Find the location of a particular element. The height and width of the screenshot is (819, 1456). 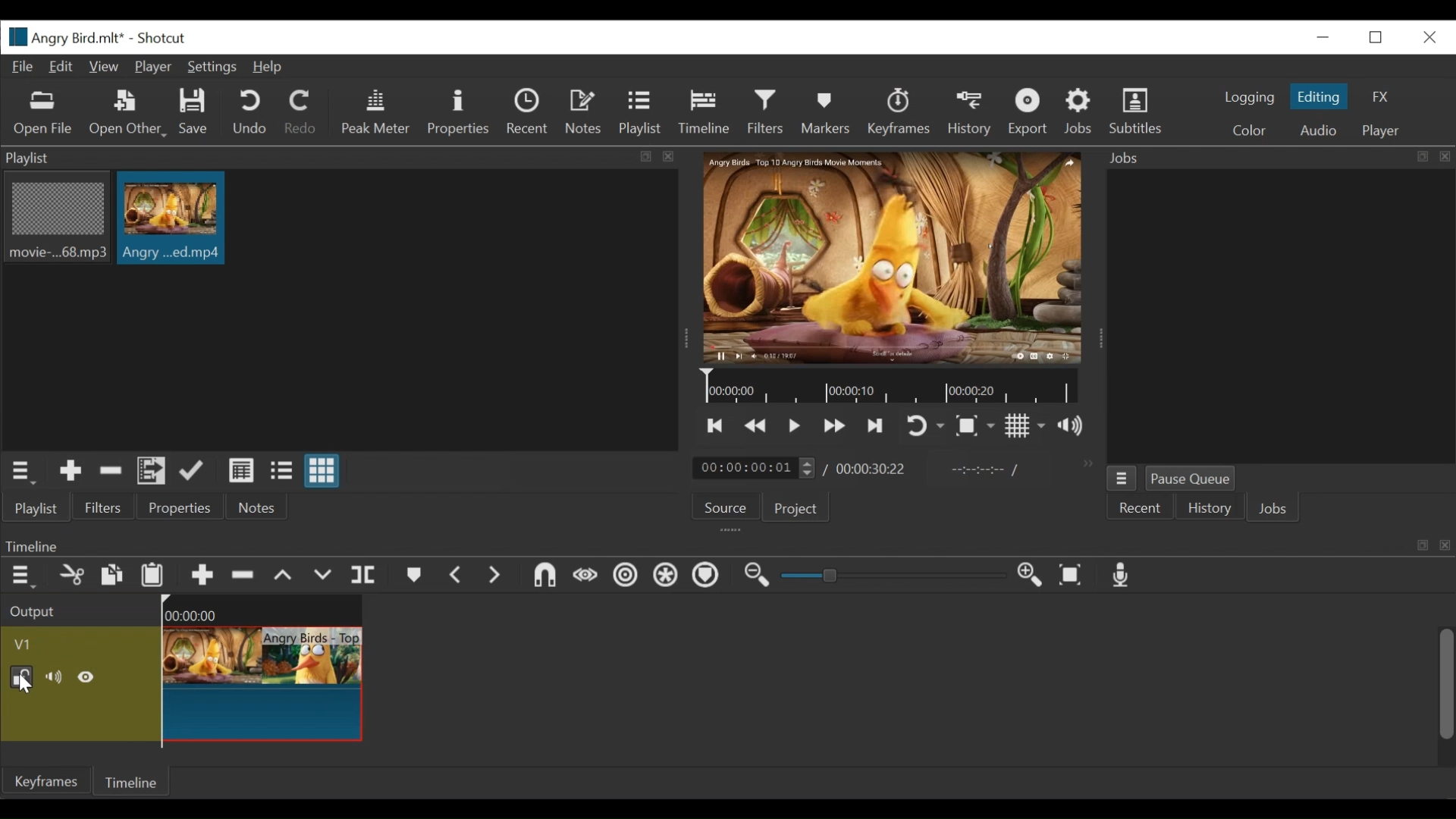

Add the Source to the playlist is located at coordinates (71, 473).